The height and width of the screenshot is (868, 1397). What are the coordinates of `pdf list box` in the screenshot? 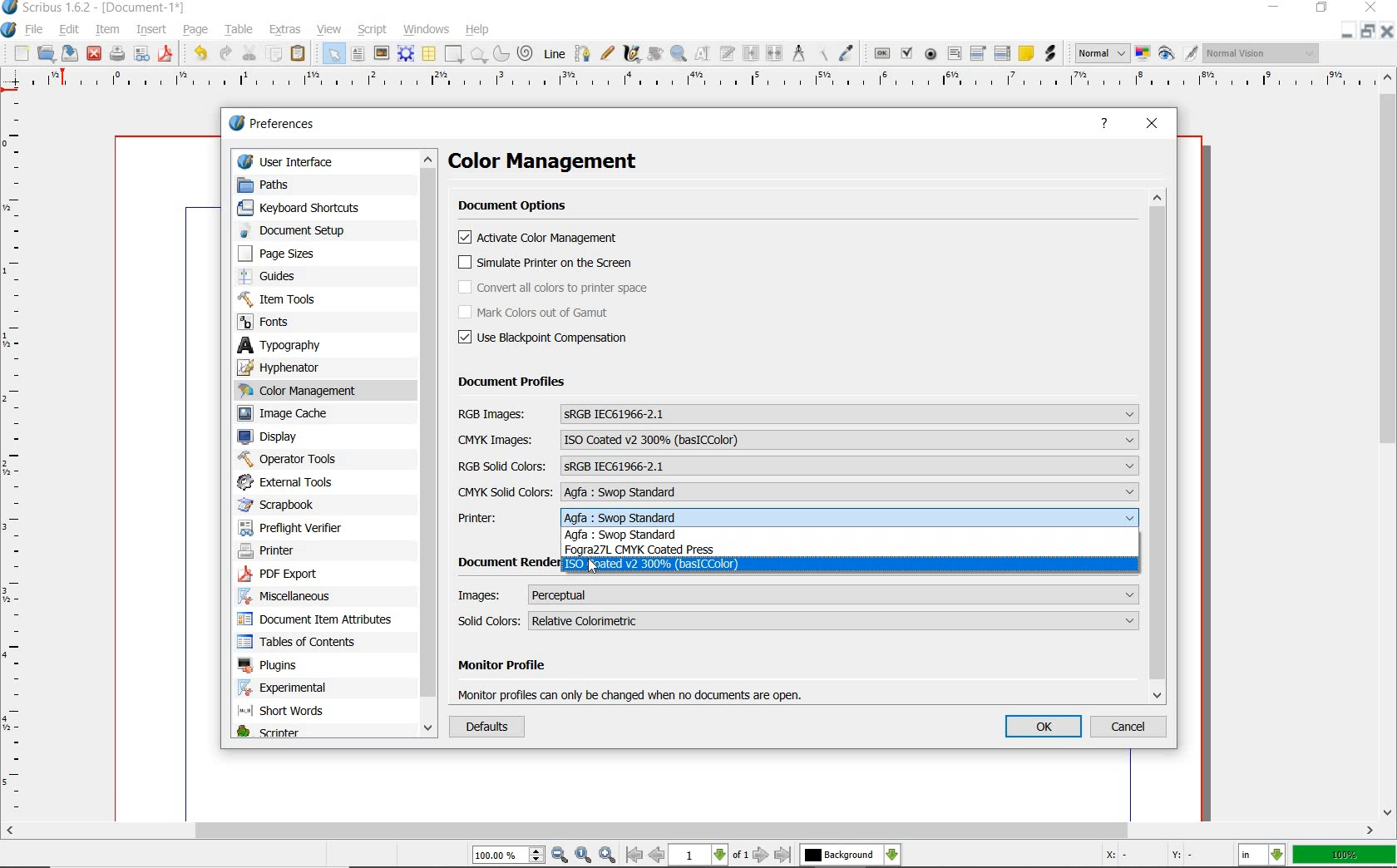 It's located at (1001, 53).